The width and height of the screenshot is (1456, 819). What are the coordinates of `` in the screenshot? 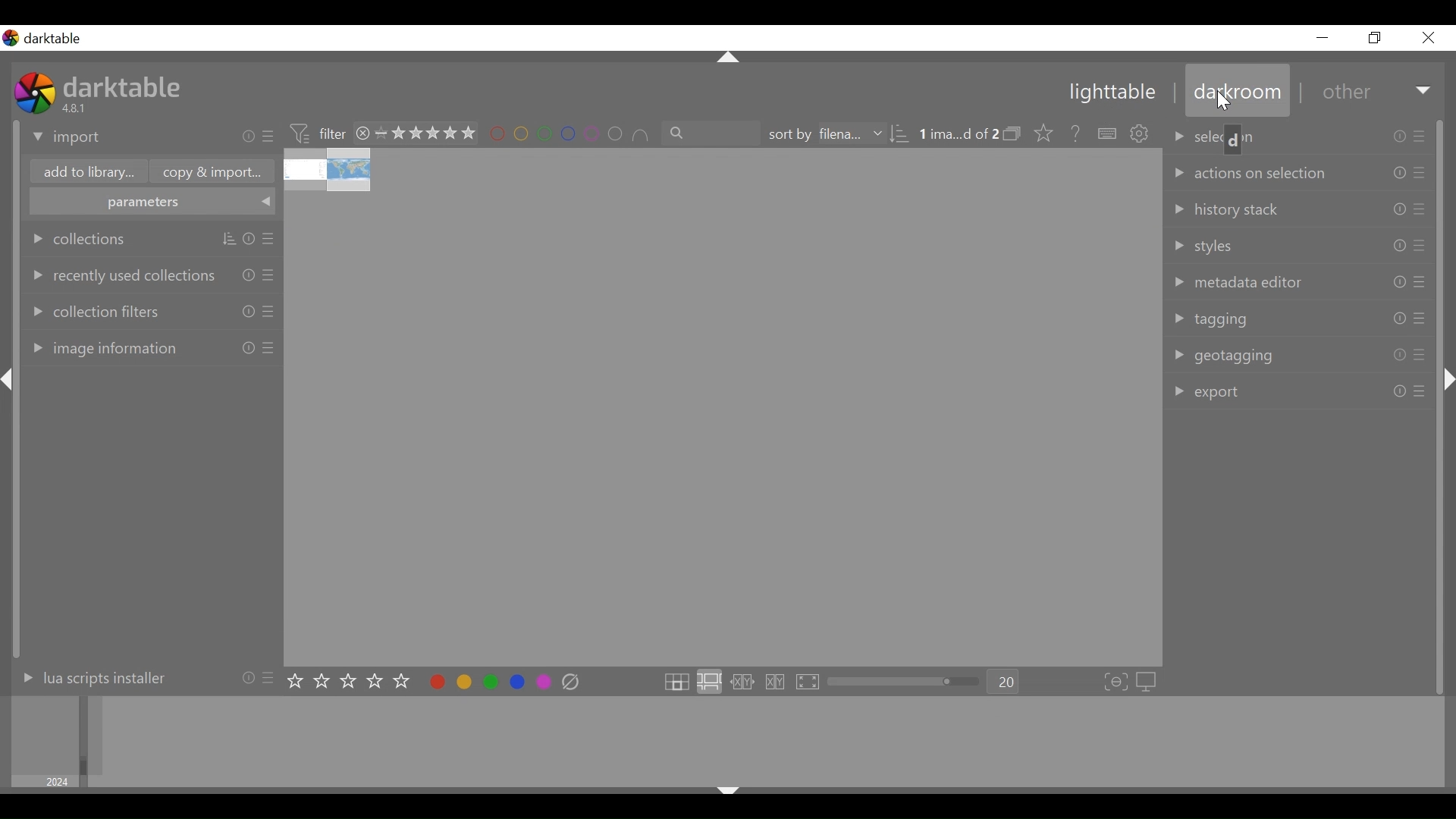 It's located at (727, 57).